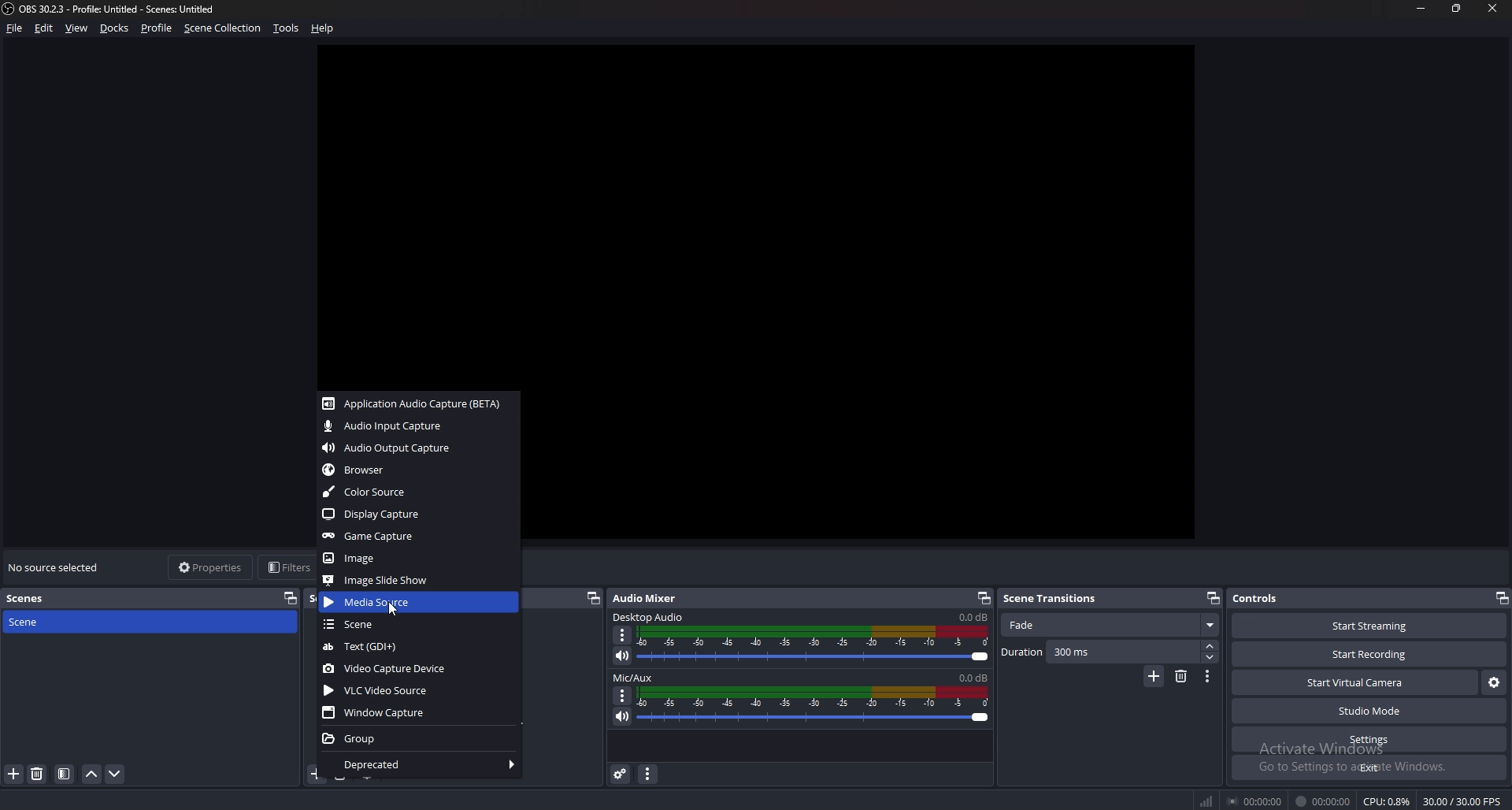 This screenshot has height=810, width=1512. I want to click on Remove configurable transitions, so click(1182, 675).